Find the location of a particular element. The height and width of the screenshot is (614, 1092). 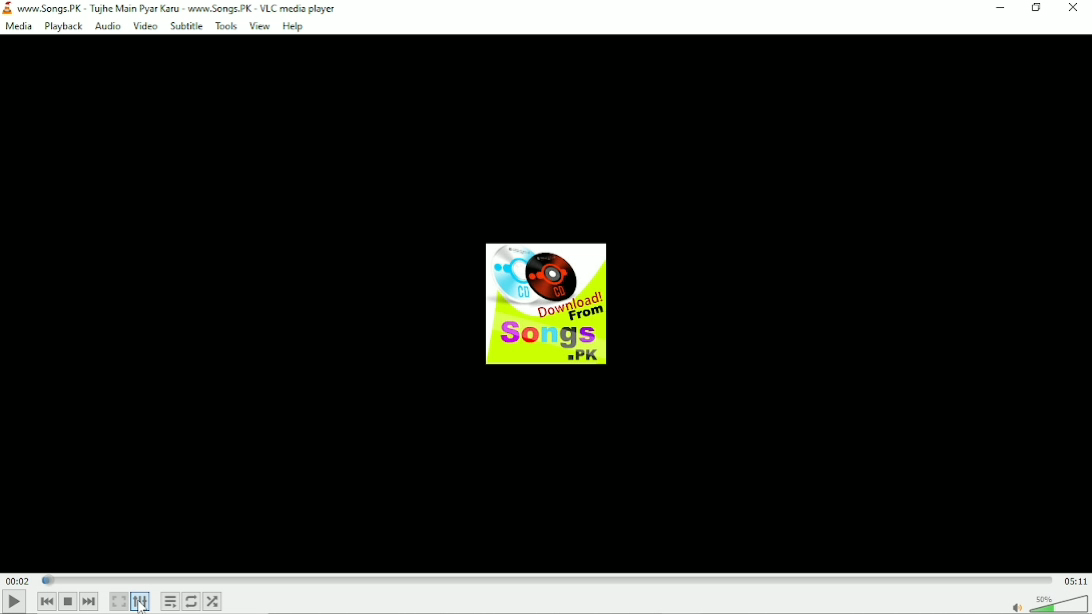

Toggle video in fullscreen is located at coordinates (119, 602).